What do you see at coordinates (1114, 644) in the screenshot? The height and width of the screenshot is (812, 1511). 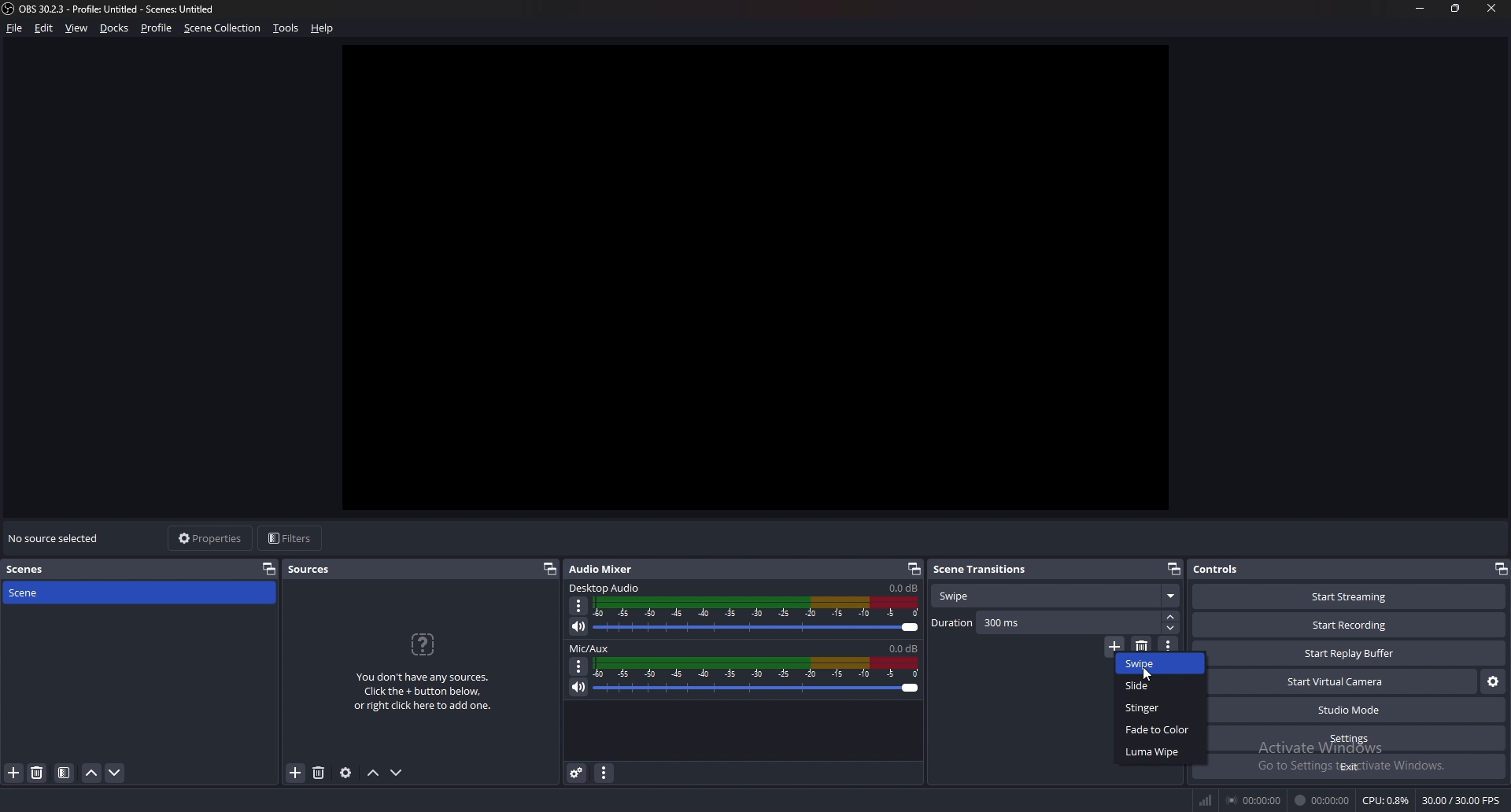 I see `add transition` at bounding box center [1114, 644].